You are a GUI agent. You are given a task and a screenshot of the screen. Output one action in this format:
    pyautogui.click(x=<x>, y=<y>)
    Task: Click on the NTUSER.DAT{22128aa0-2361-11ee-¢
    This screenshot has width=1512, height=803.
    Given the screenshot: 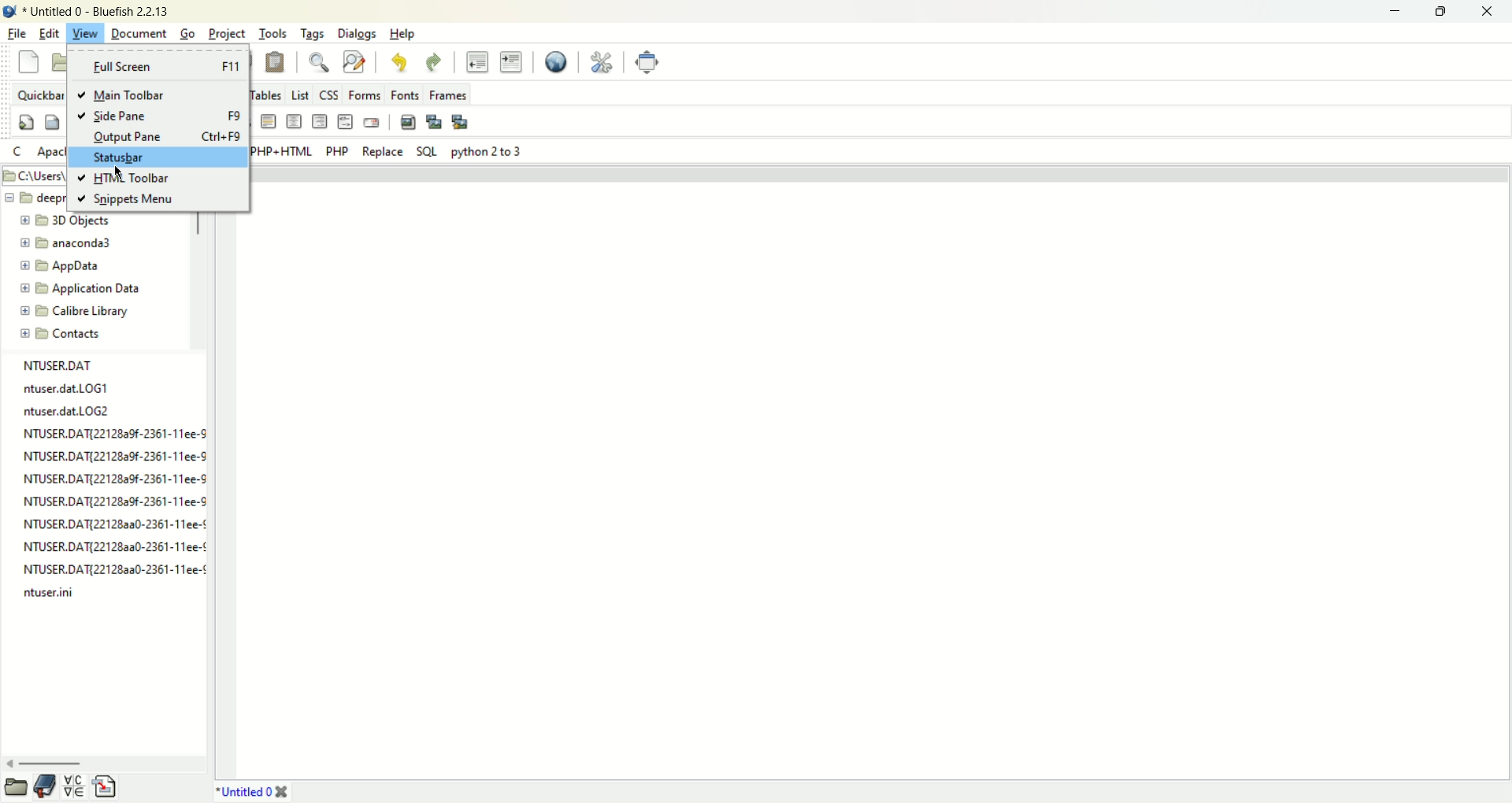 What is the action you would take?
    pyautogui.click(x=115, y=546)
    